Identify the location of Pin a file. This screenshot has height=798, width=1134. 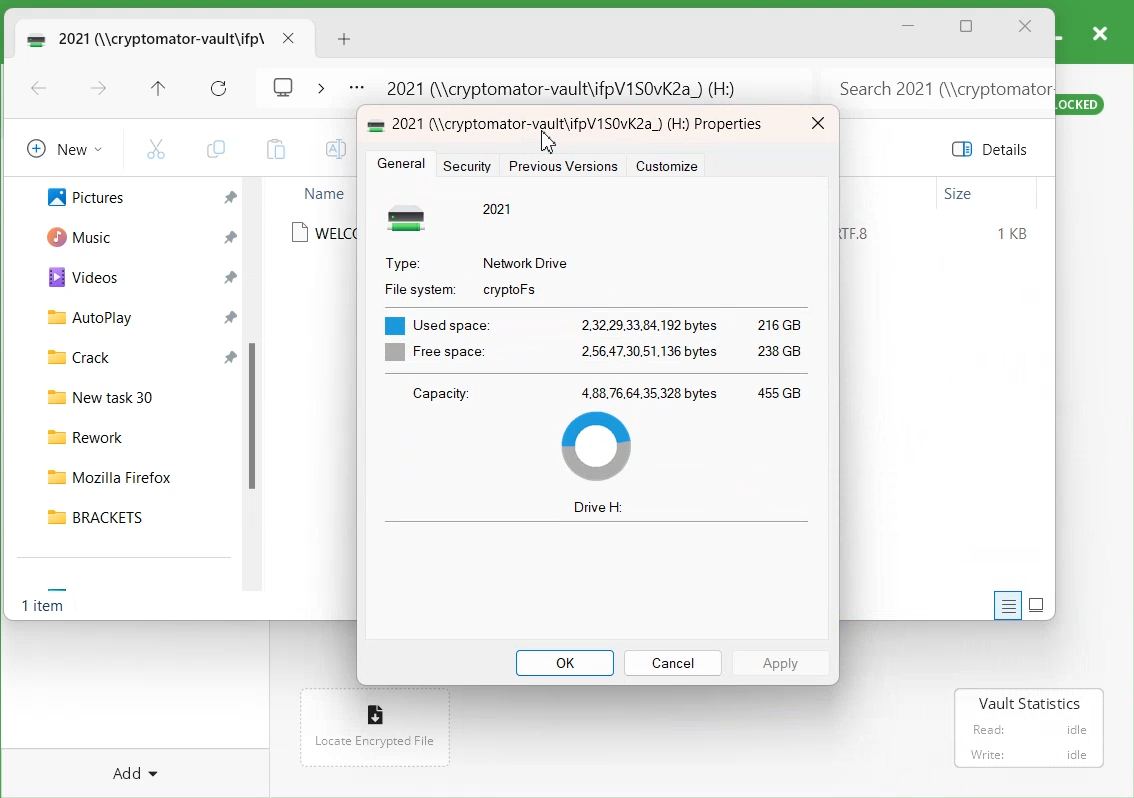
(231, 355).